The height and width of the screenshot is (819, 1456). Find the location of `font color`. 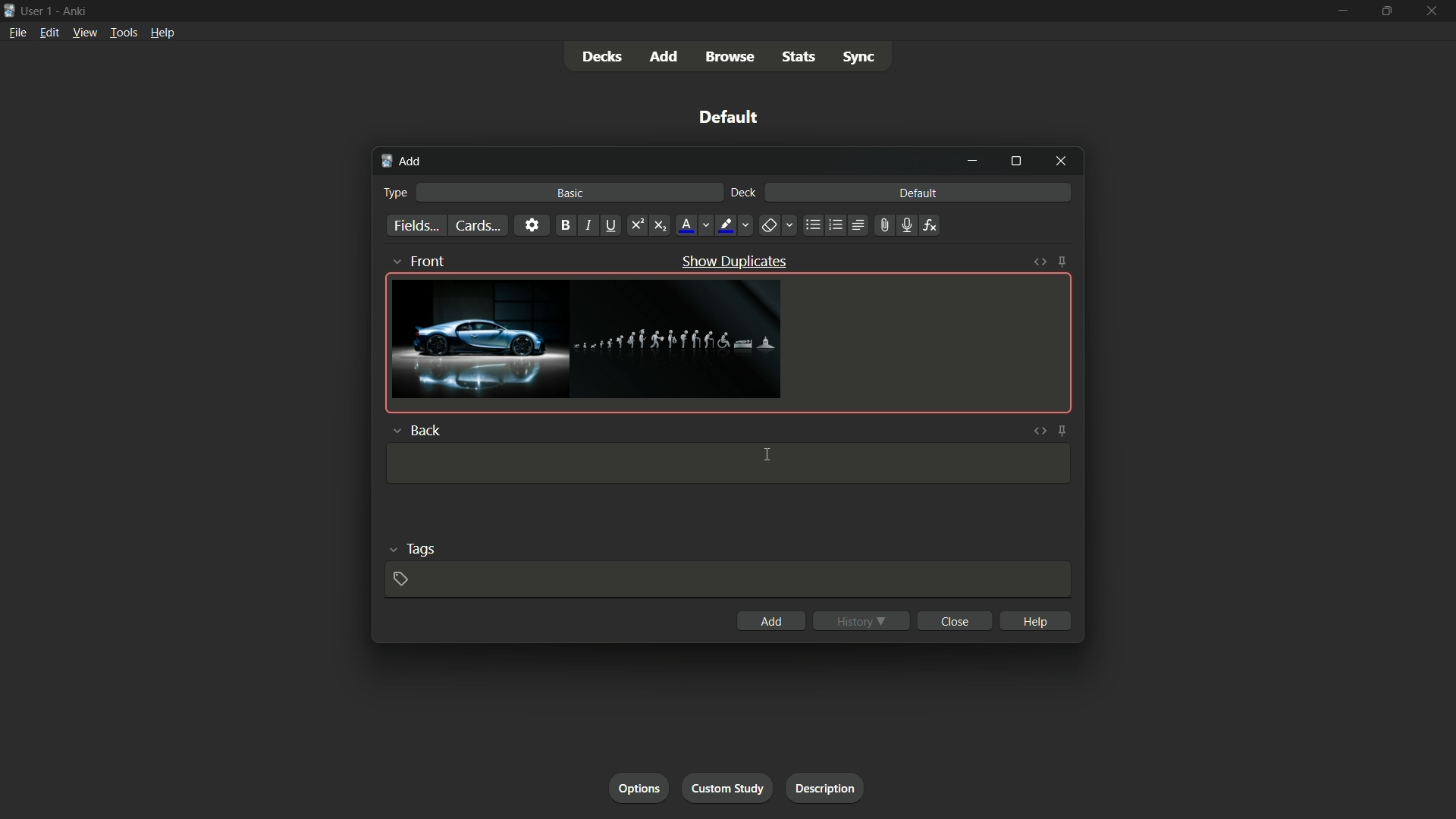

font color is located at coordinates (694, 224).